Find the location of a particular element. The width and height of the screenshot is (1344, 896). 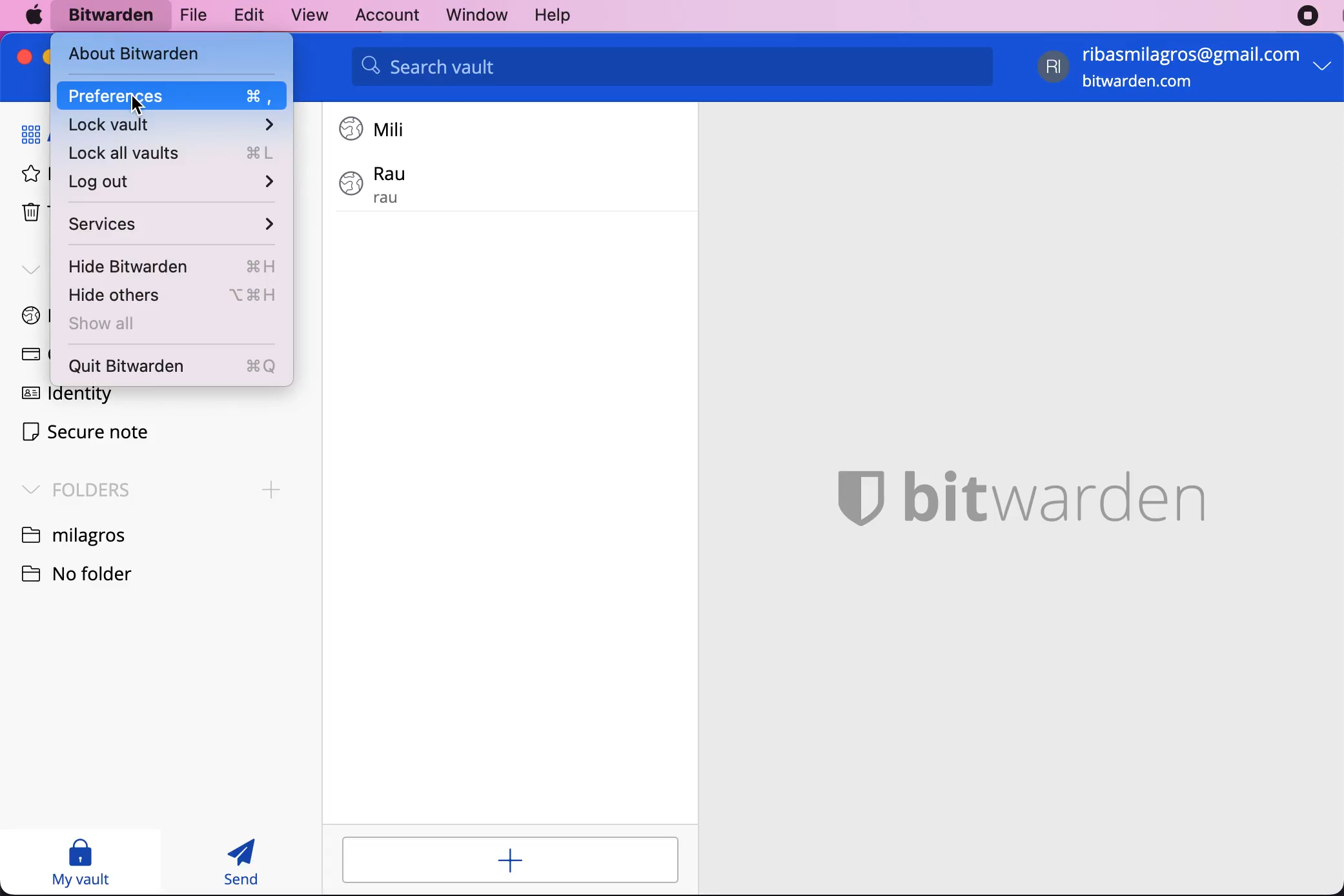

mac logo is located at coordinates (36, 15).